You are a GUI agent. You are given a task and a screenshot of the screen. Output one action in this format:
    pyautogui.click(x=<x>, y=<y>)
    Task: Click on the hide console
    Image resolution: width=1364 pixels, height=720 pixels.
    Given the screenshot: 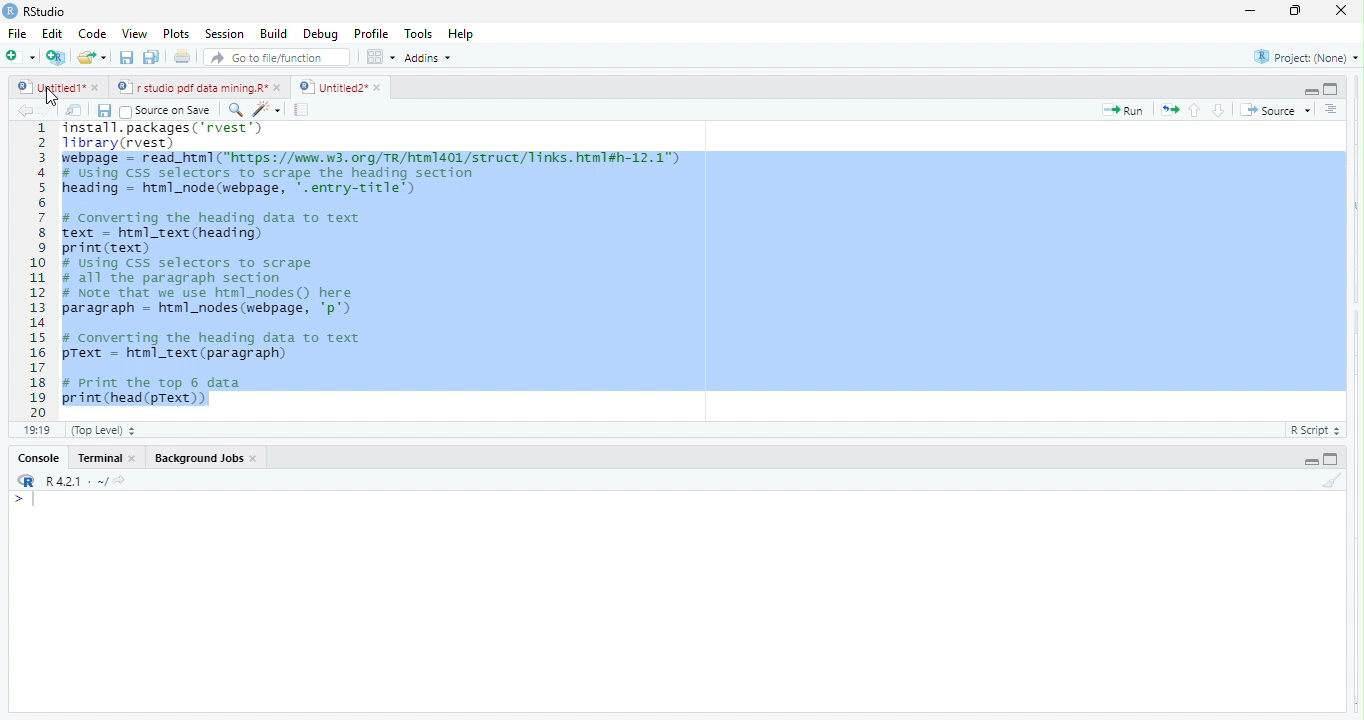 What is the action you would take?
    pyautogui.click(x=1331, y=87)
    